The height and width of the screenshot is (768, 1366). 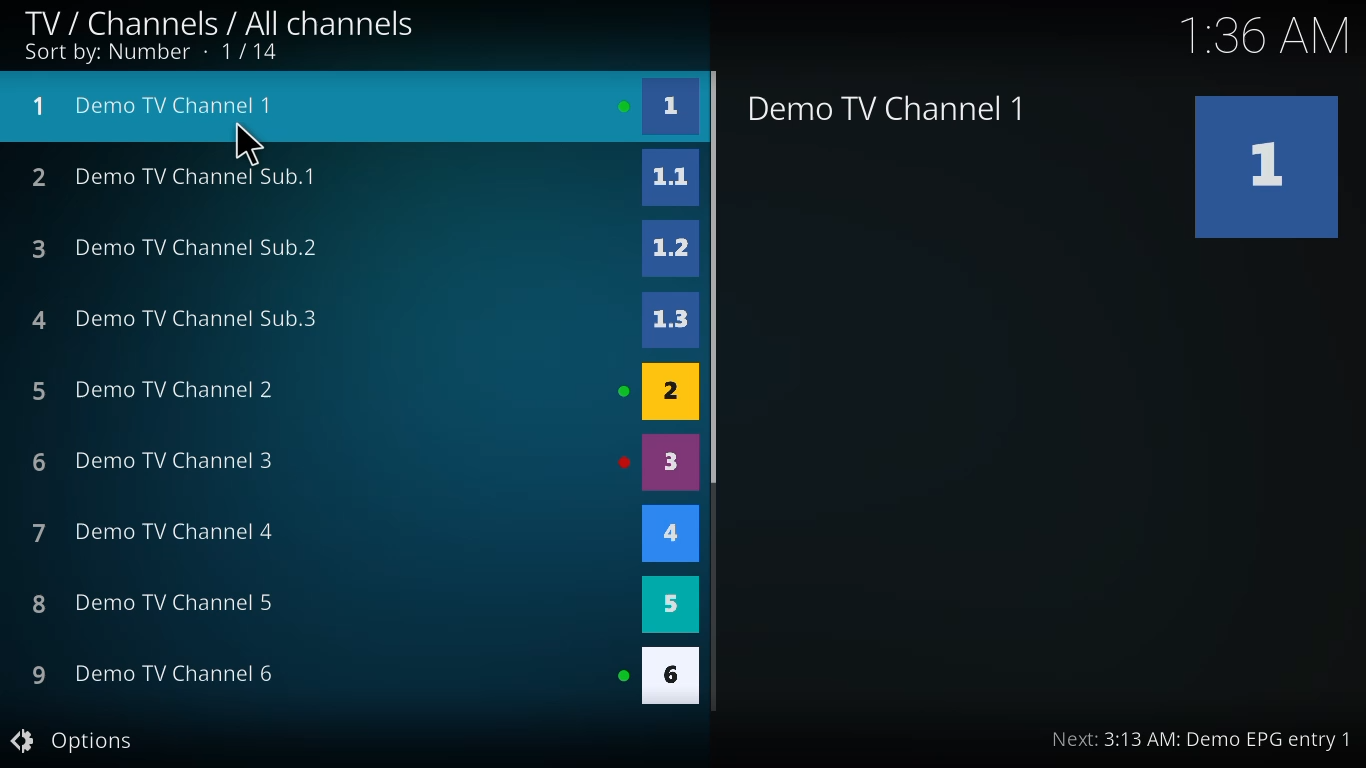 What do you see at coordinates (677, 602) in the screenshot?
I see `5` at bounding box center [677, 602].